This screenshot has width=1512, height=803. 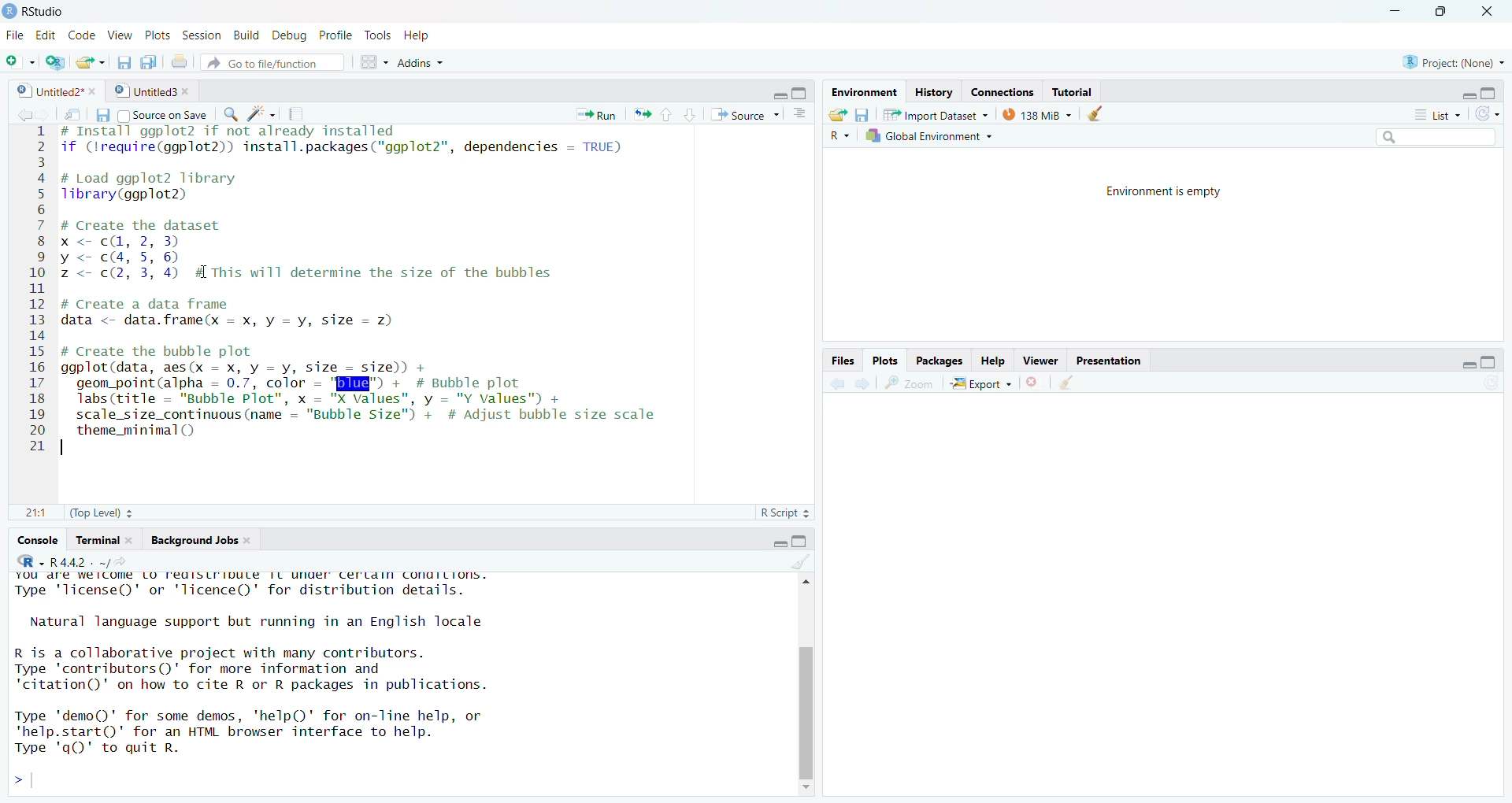 What do you see at coordinates (379, 297) in the screenshot?
I see `BEERS SRR Bras FE TE SRS TIELED Swe
2 if (lrequire(ggplot2)) install.packages("ggplot2", dependencies = TRUE)
3
4 # Load ggplot2 library
5 Tlibrary(ggplot2)

6

7 # Create the dataset
8 x < cd, 2, 3)

9 y< c4, 5,6)

10 z <- c(2, 3, 4) #A This will determine the size of the bubbles

11

12 # Create a data frame

13 data <- data.frame(x = x, y = vy, size = 2)

14

15 # Create the bubble plot

16 ggplot(data, aes(x = x, y = vy, size = size)) +

17 geom_point(alpha = 0.7, color = 'BEE") + # Bubble plot

18 labs (title = "Bubble Plot", x = "X Values", y = "Y values") +

19 scale_size_continuous (name = "Bubble Size") + # Adjust bubble size scale
20 theme_minimal()

21 |` at bounding box center [379, 297].